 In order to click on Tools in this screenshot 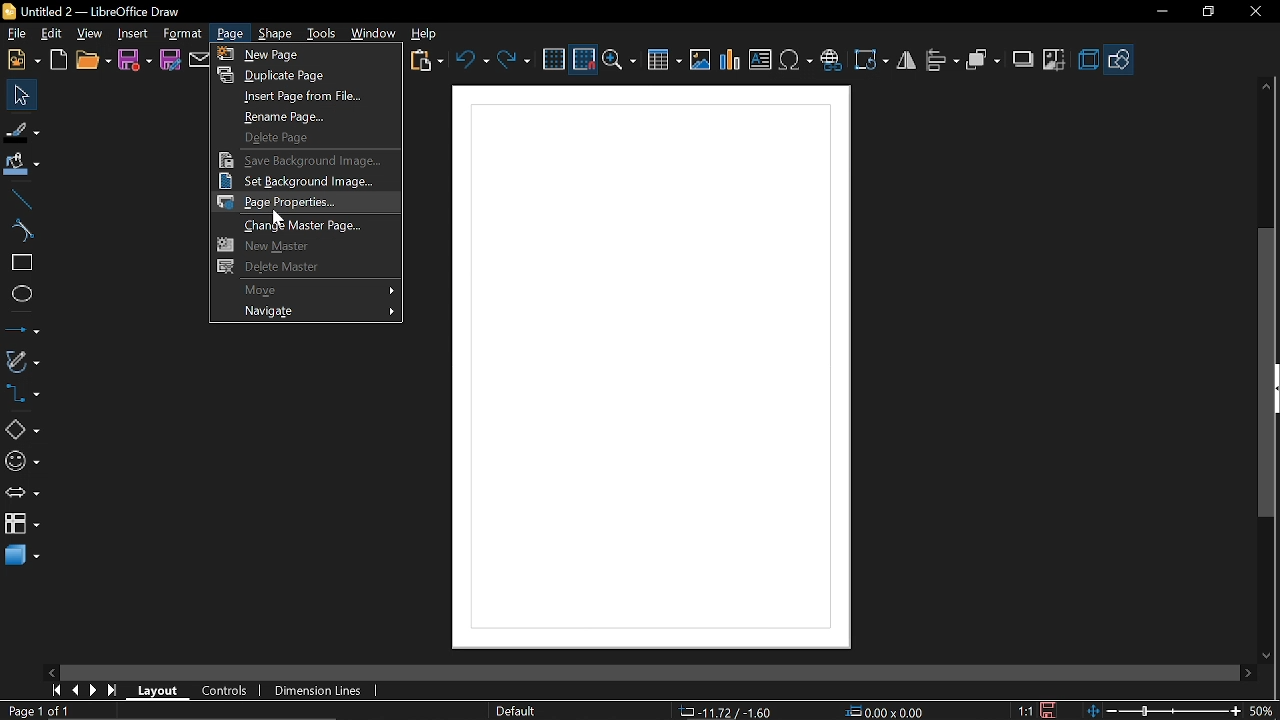, I will do `click(323, 34)`.